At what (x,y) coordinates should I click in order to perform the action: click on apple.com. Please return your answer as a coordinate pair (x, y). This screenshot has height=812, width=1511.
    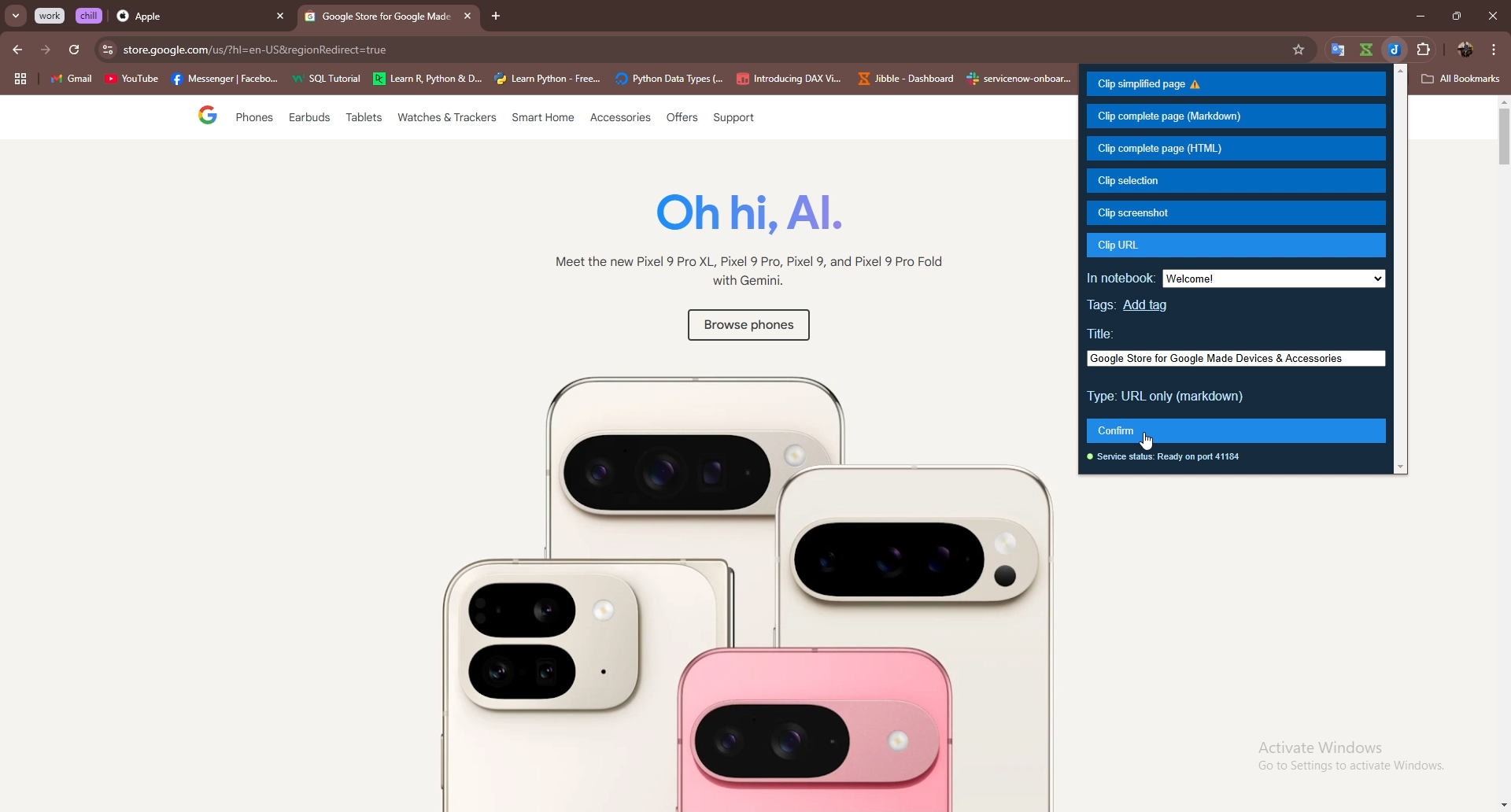
    Looking at the image, I should click on (702, 50).